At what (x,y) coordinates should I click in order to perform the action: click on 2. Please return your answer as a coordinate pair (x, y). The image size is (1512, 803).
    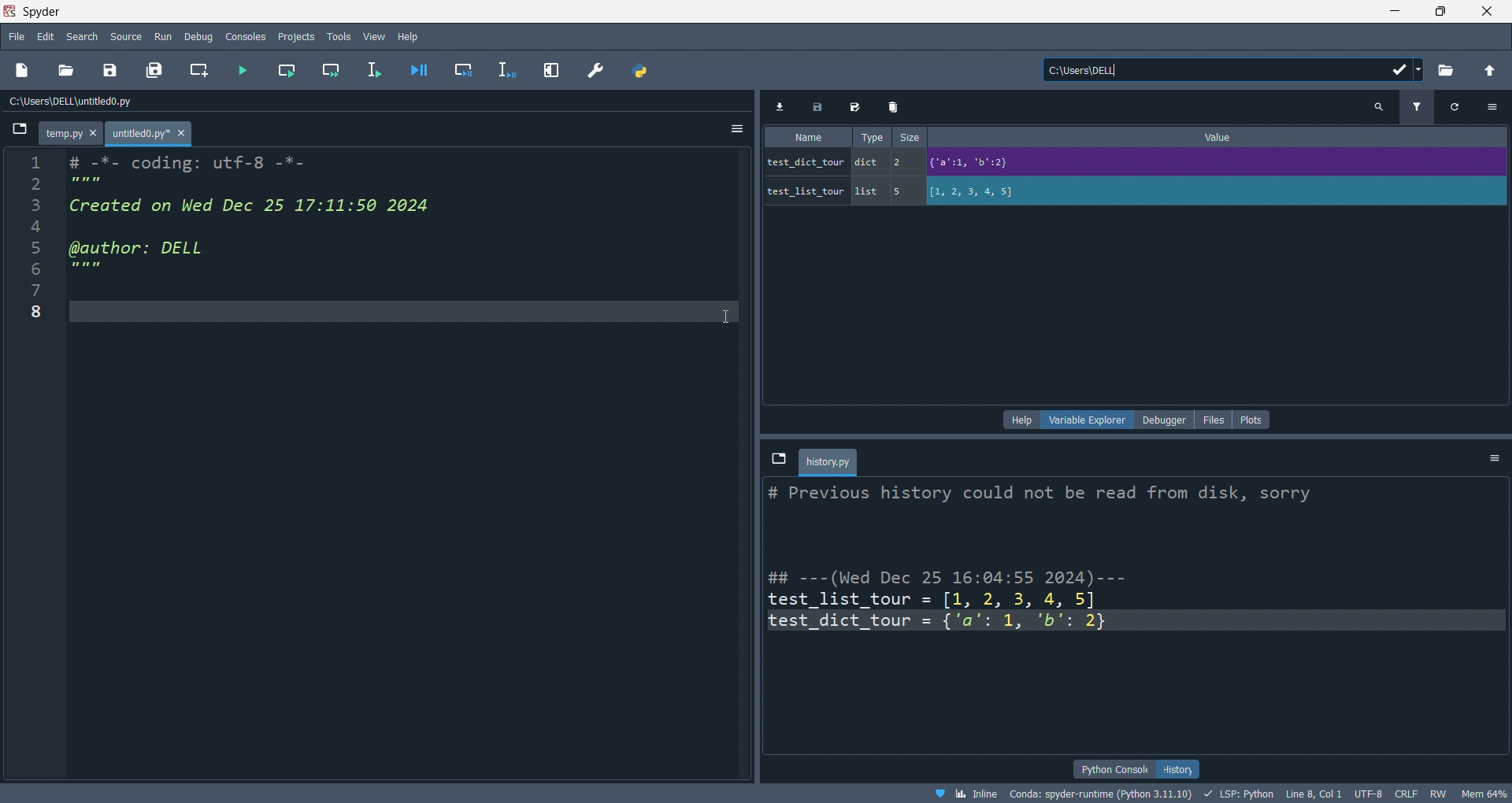
    Looking at the image, I should click on (903, 161).